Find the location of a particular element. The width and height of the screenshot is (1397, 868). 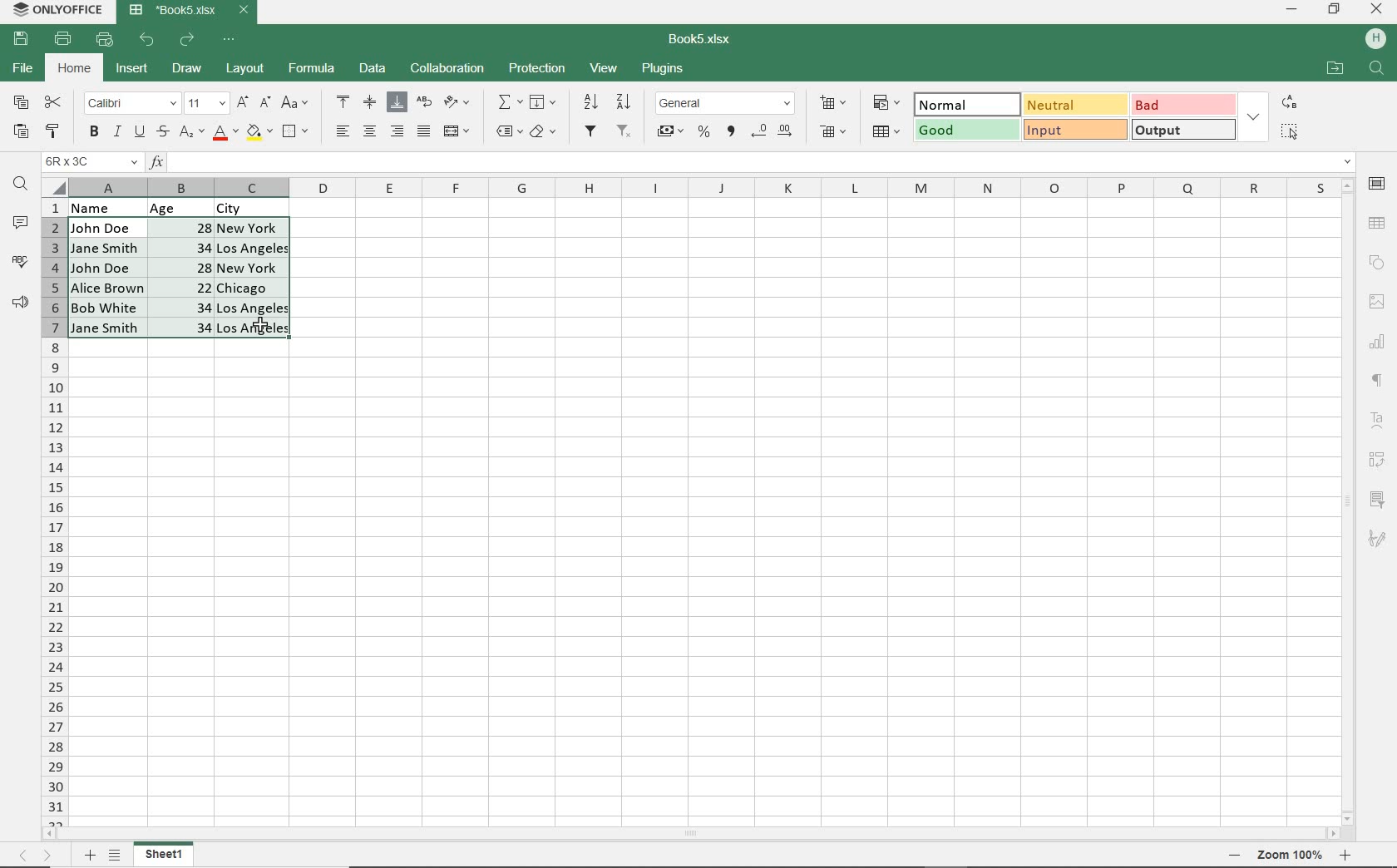

MOVE SHEETS is located at coordinates (35, 856).